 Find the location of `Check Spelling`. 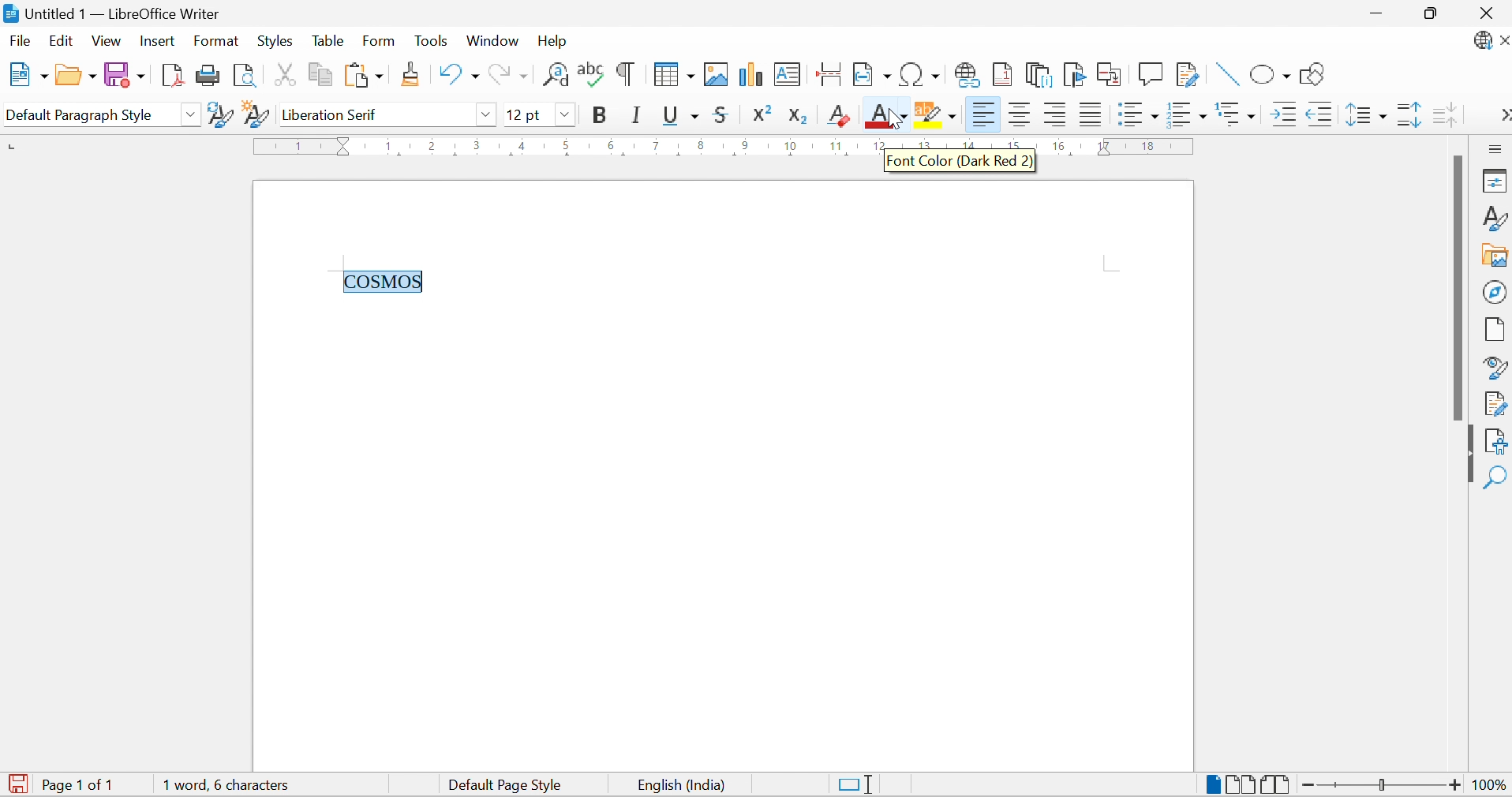

Check Spelling is located at coordinates (591, 75).